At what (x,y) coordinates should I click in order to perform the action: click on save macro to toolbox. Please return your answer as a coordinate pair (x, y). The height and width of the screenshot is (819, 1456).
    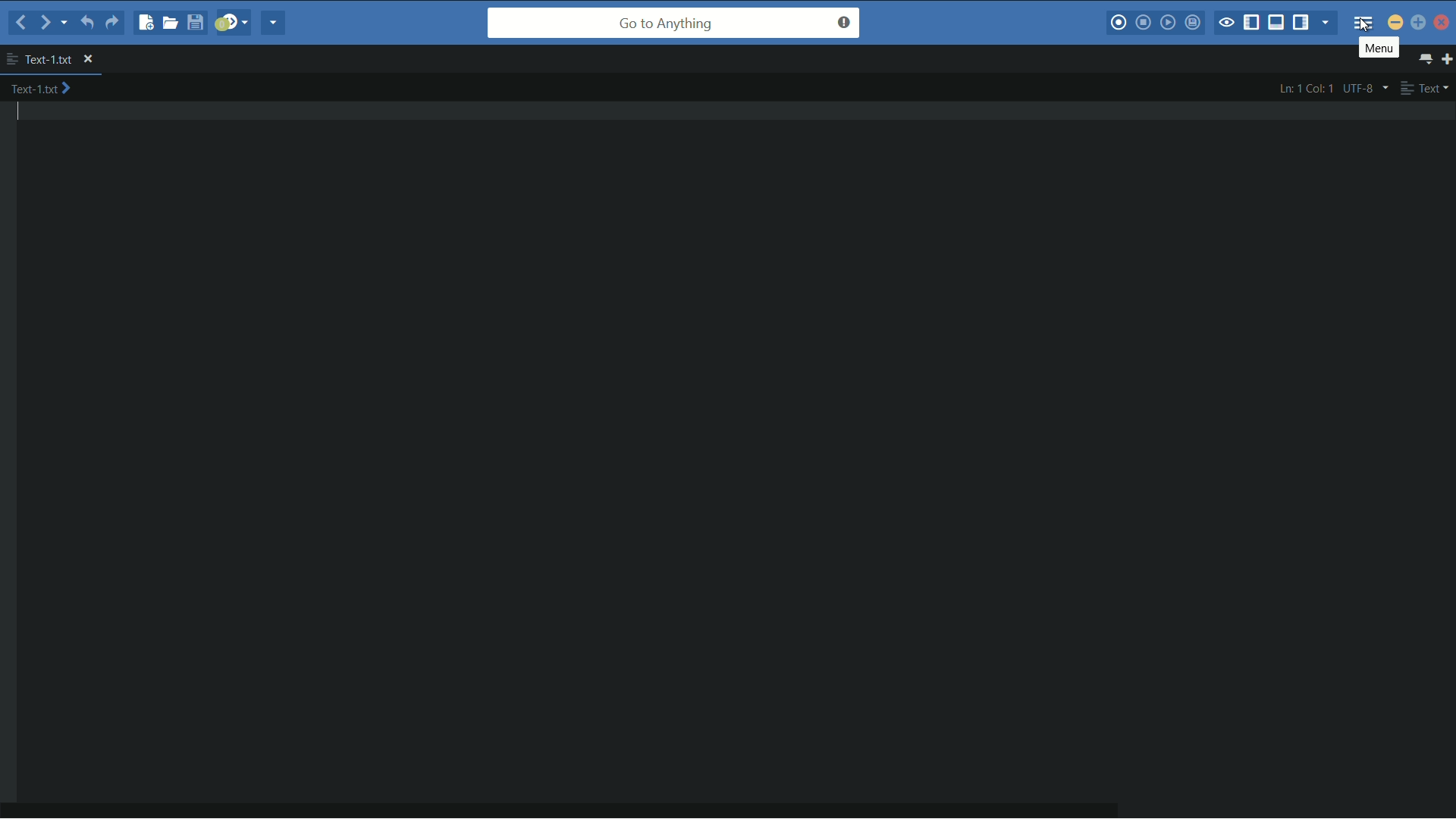
    Looking at the image, I should click on (1197, 22).